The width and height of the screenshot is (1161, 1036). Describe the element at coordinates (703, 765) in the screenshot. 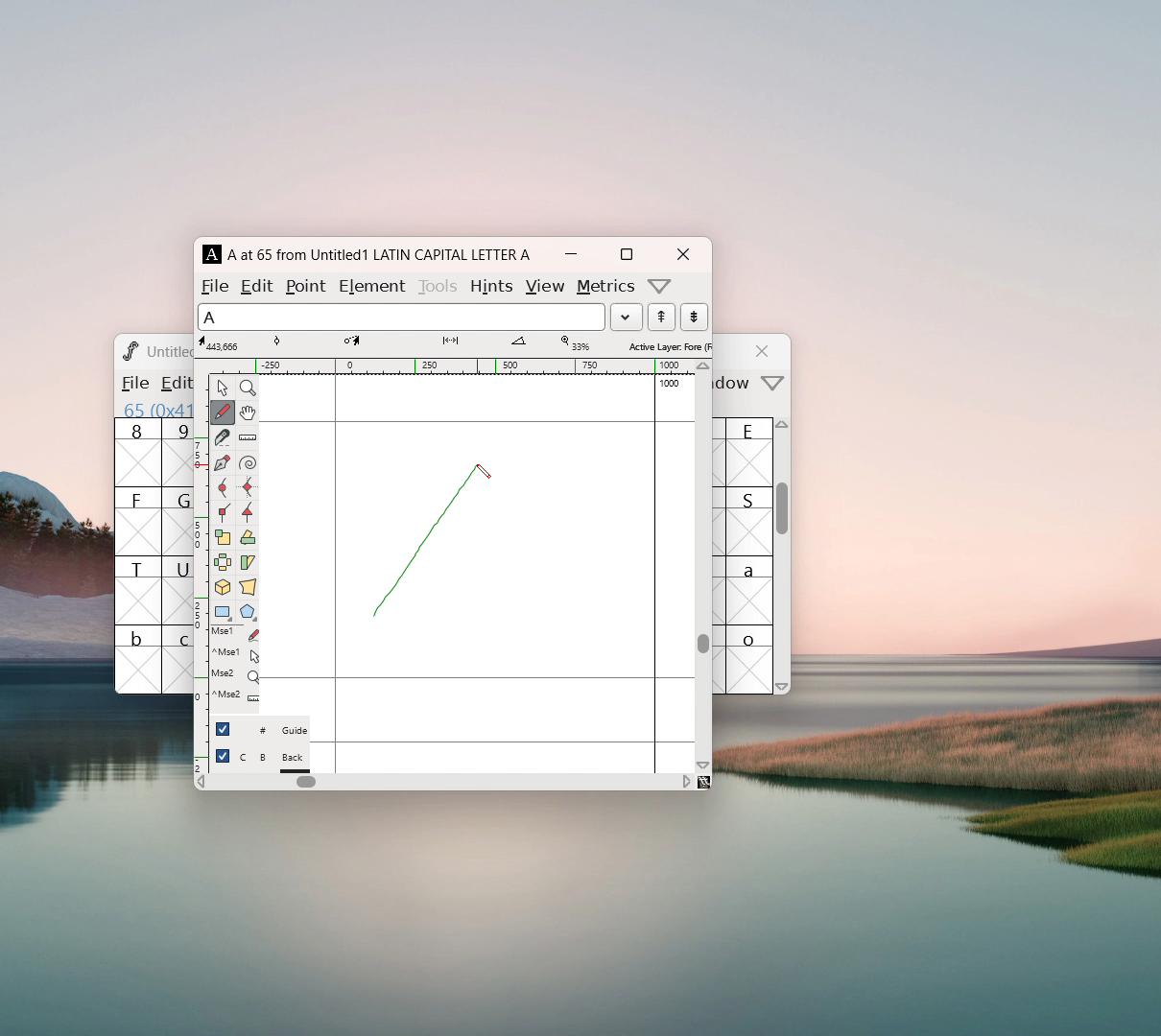

I see `scroll down` at that location.